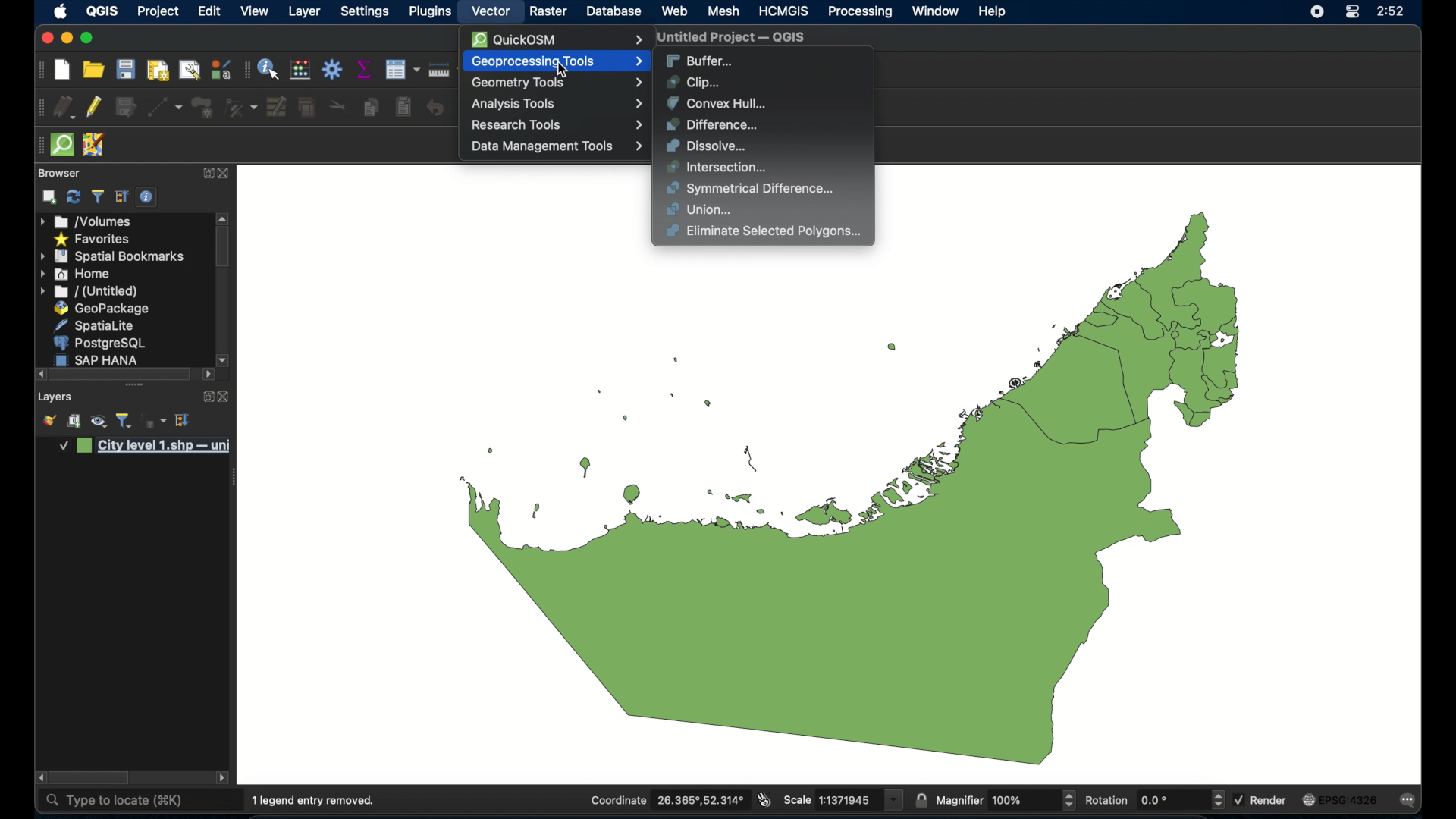 This screenshot has width=1456, height=819. What do you see at coordinates (102, 12) in the screenshot?
I see `QGIS` at bounding box center [102, 12].